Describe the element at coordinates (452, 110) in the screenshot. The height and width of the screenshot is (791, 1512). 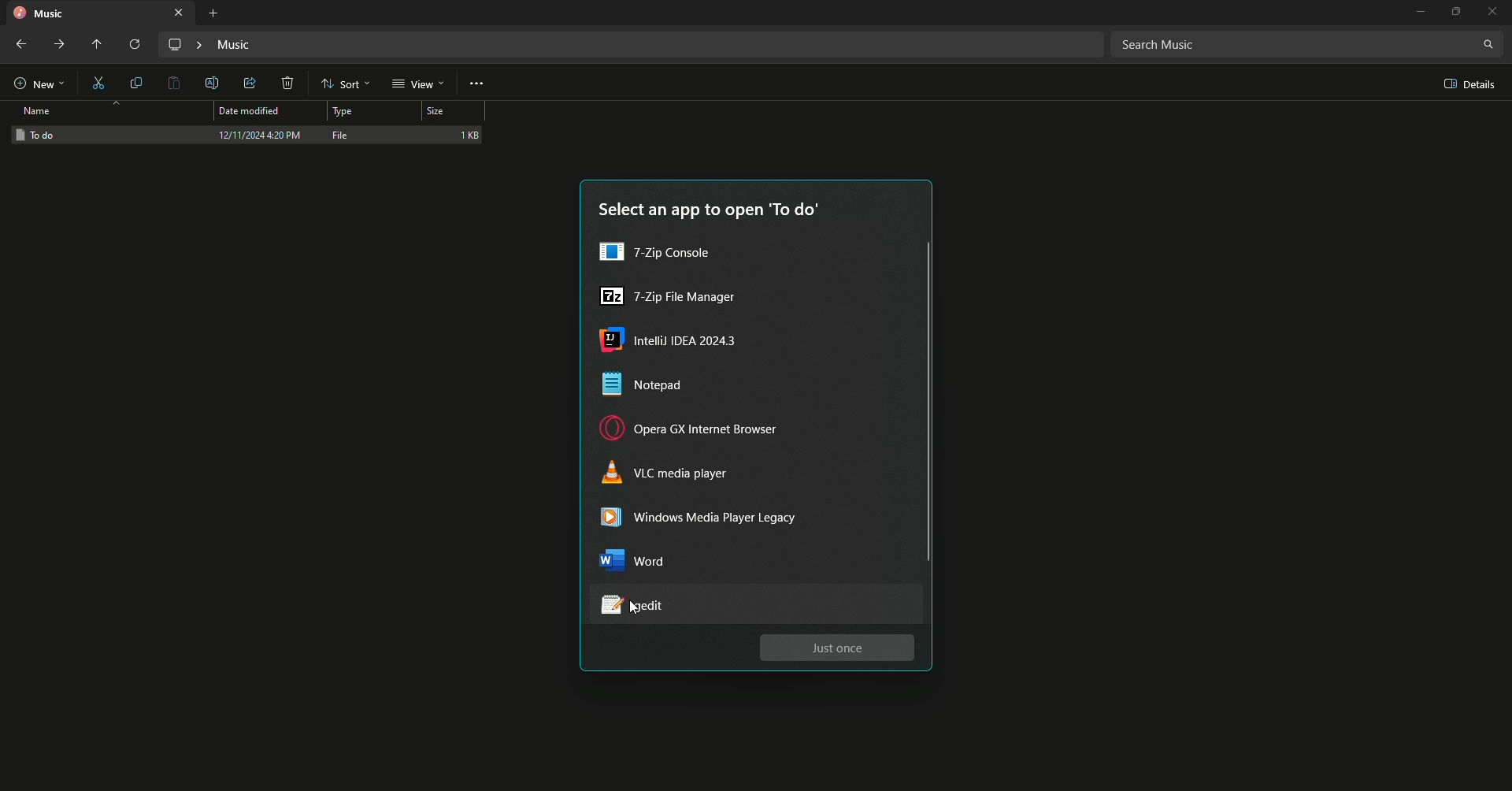
I see `Size` at that location.